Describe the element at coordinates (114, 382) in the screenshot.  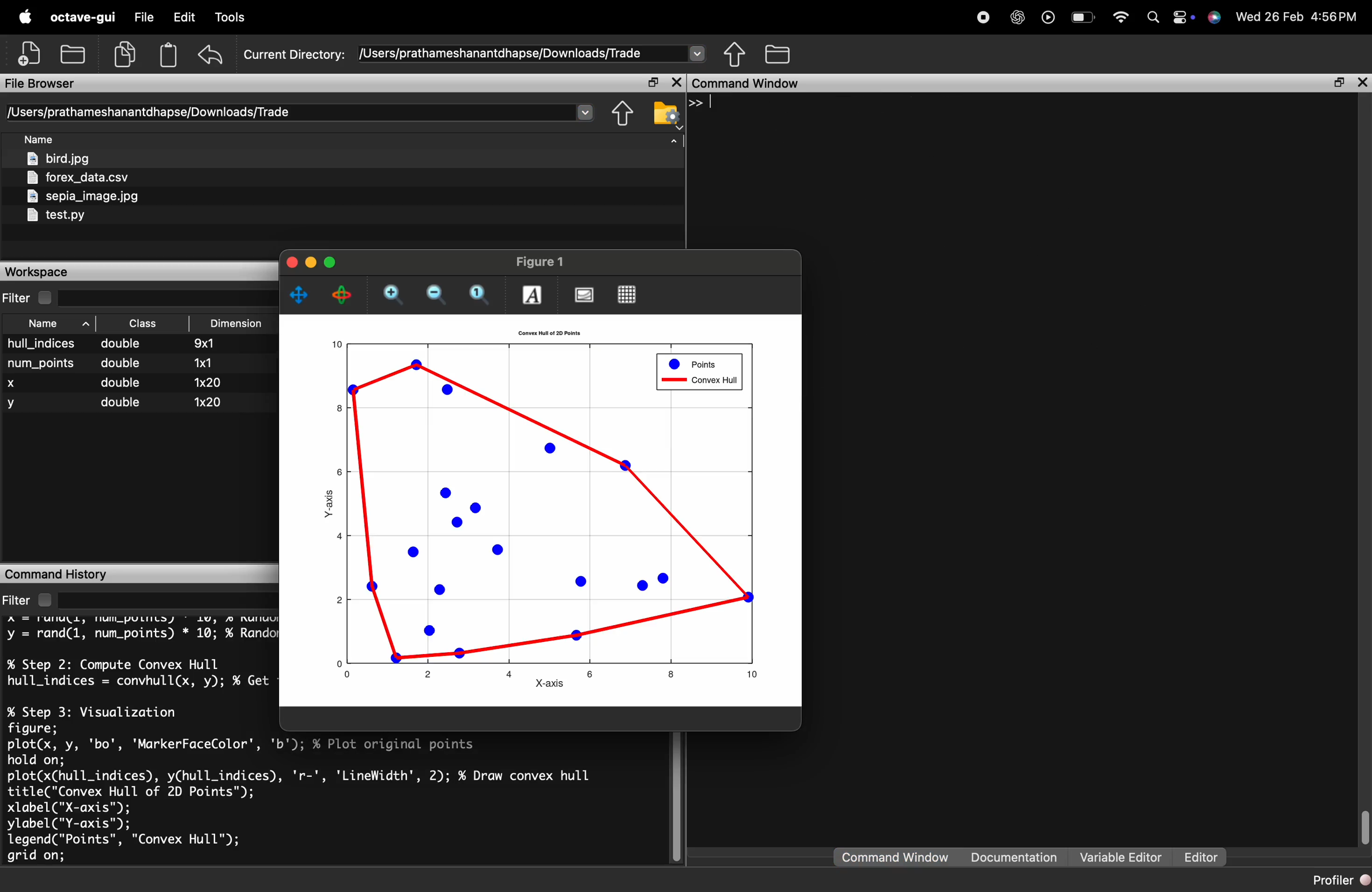
I see `X double 1x20` at that location.